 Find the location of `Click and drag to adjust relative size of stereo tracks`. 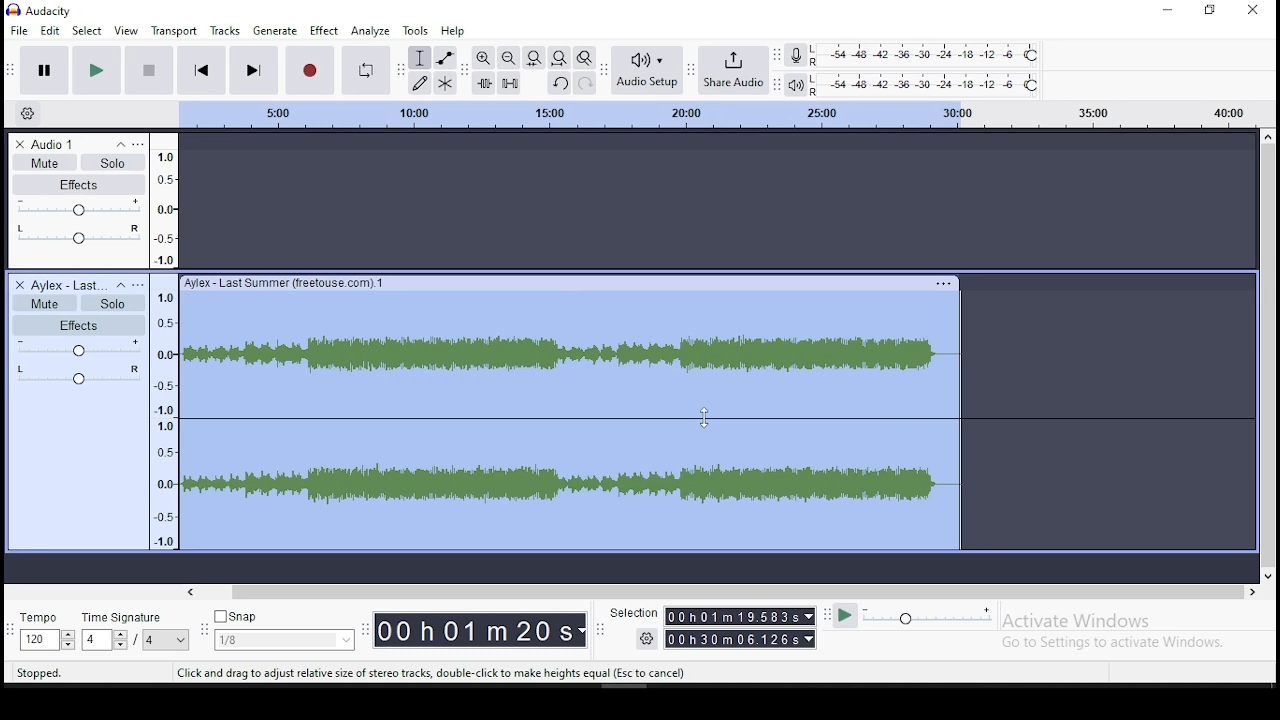

Click and drag to adjust relative size of stereo tracks is located at coordinates (441, 673).